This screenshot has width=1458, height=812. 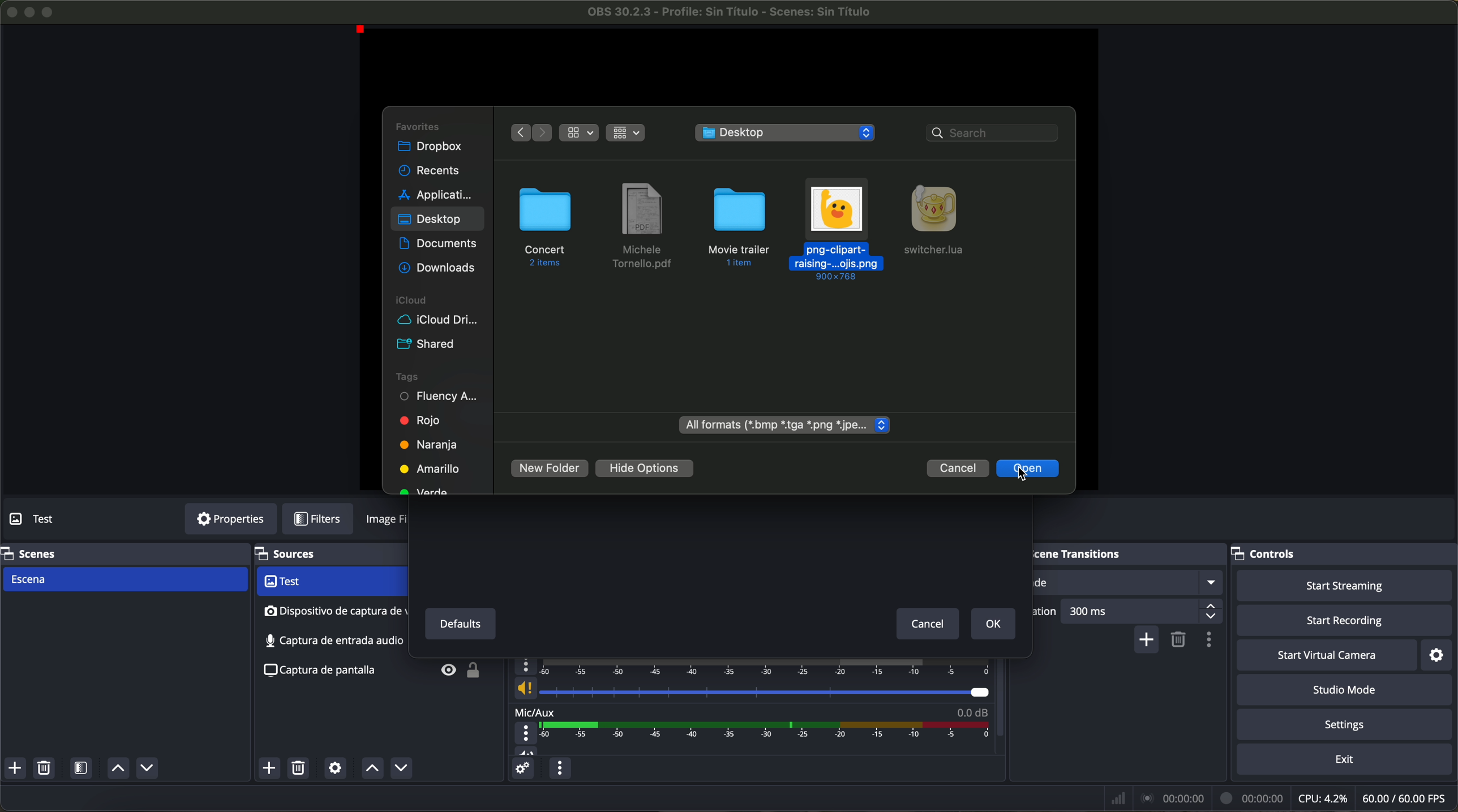 What do you see at coordinates (1128, 582) in the screenshot?
I see `fade` at bounding box center [1128, 582].